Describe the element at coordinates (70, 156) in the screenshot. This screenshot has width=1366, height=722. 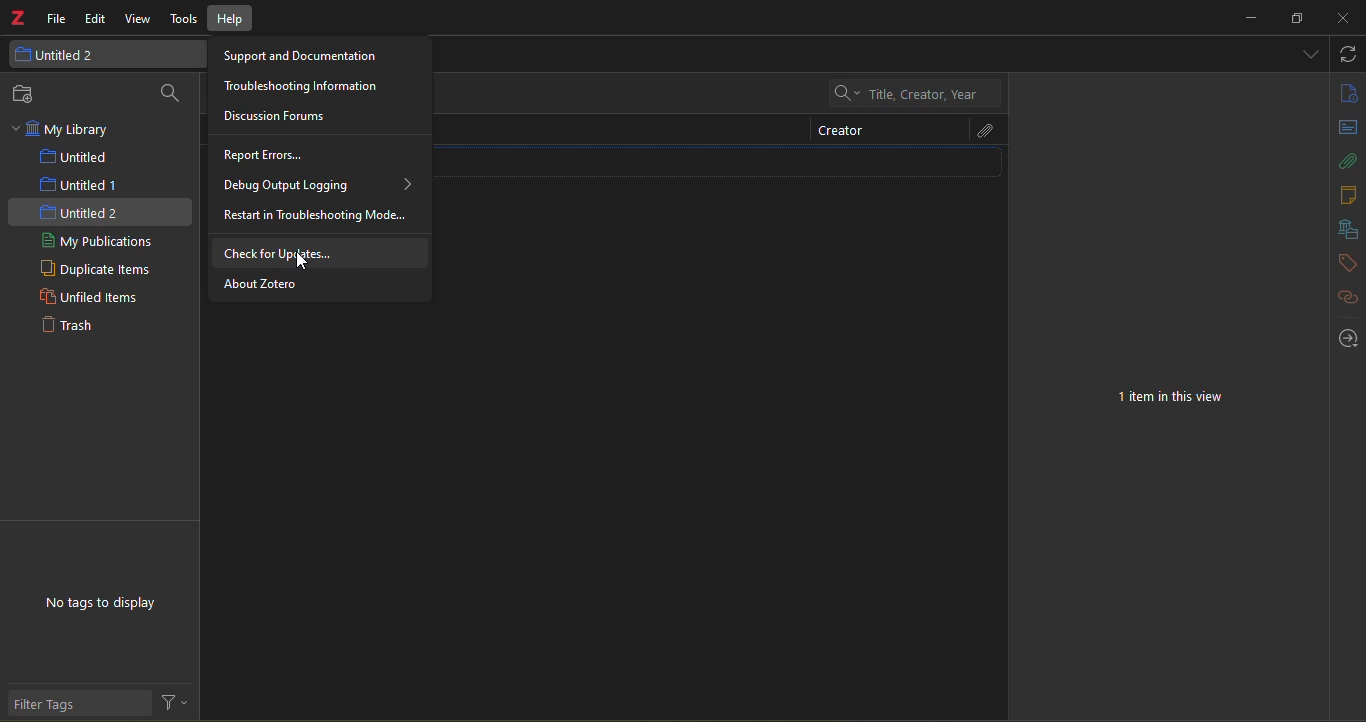
I see `untitled` at that location.